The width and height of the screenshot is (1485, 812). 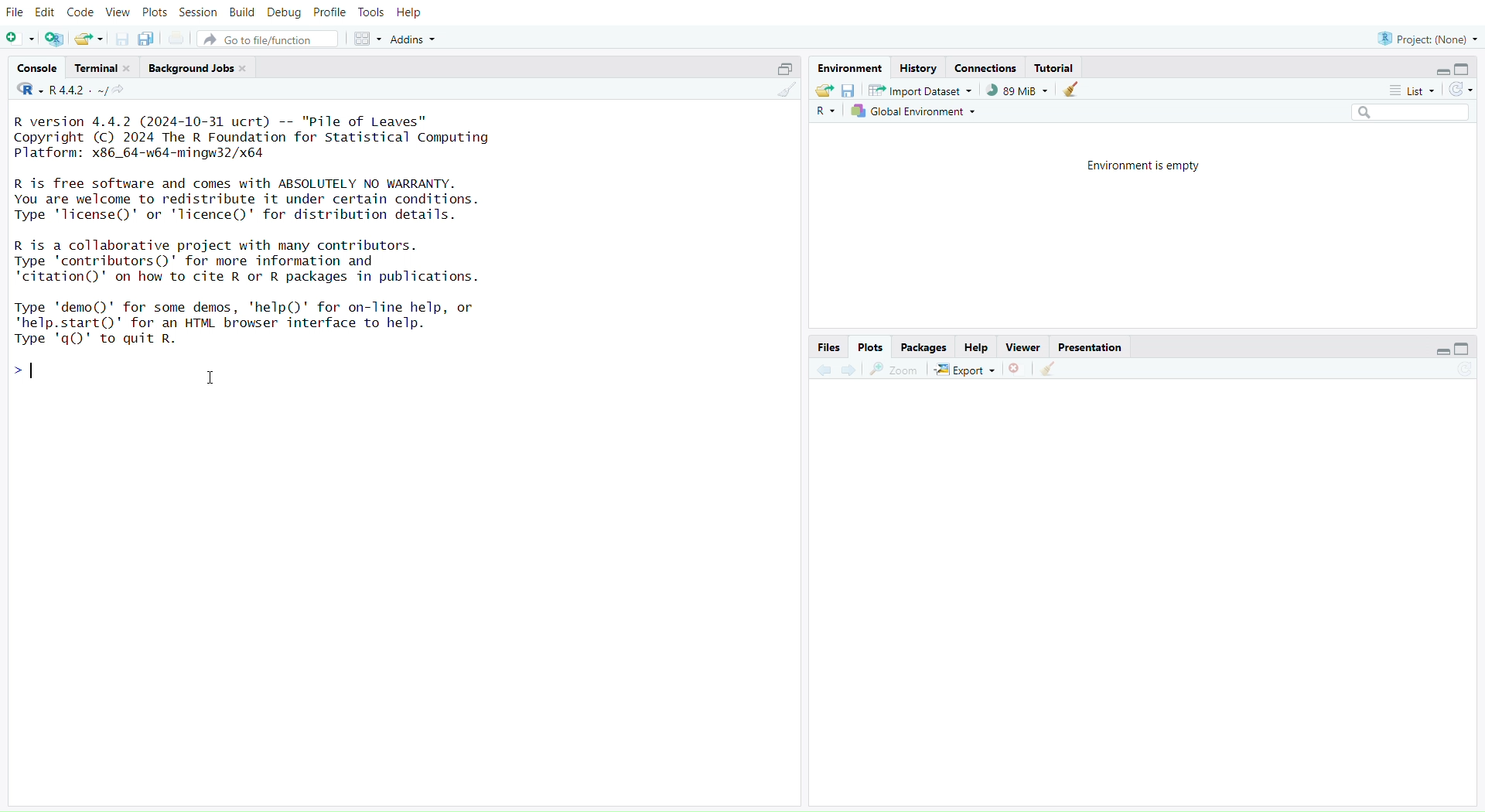 I want to click on Session, so click(x=200, y=12).